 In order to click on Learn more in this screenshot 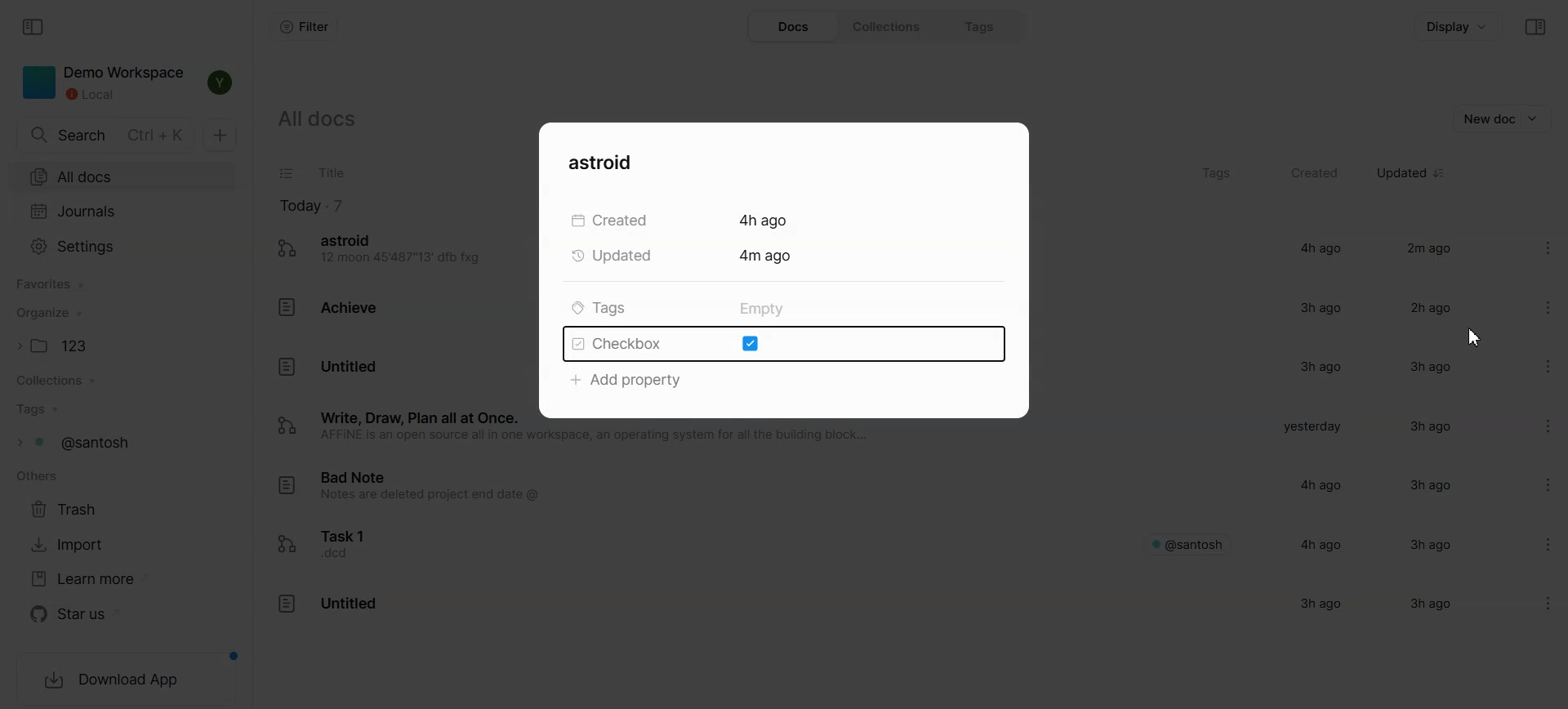, I will do `click(81, 578)`.